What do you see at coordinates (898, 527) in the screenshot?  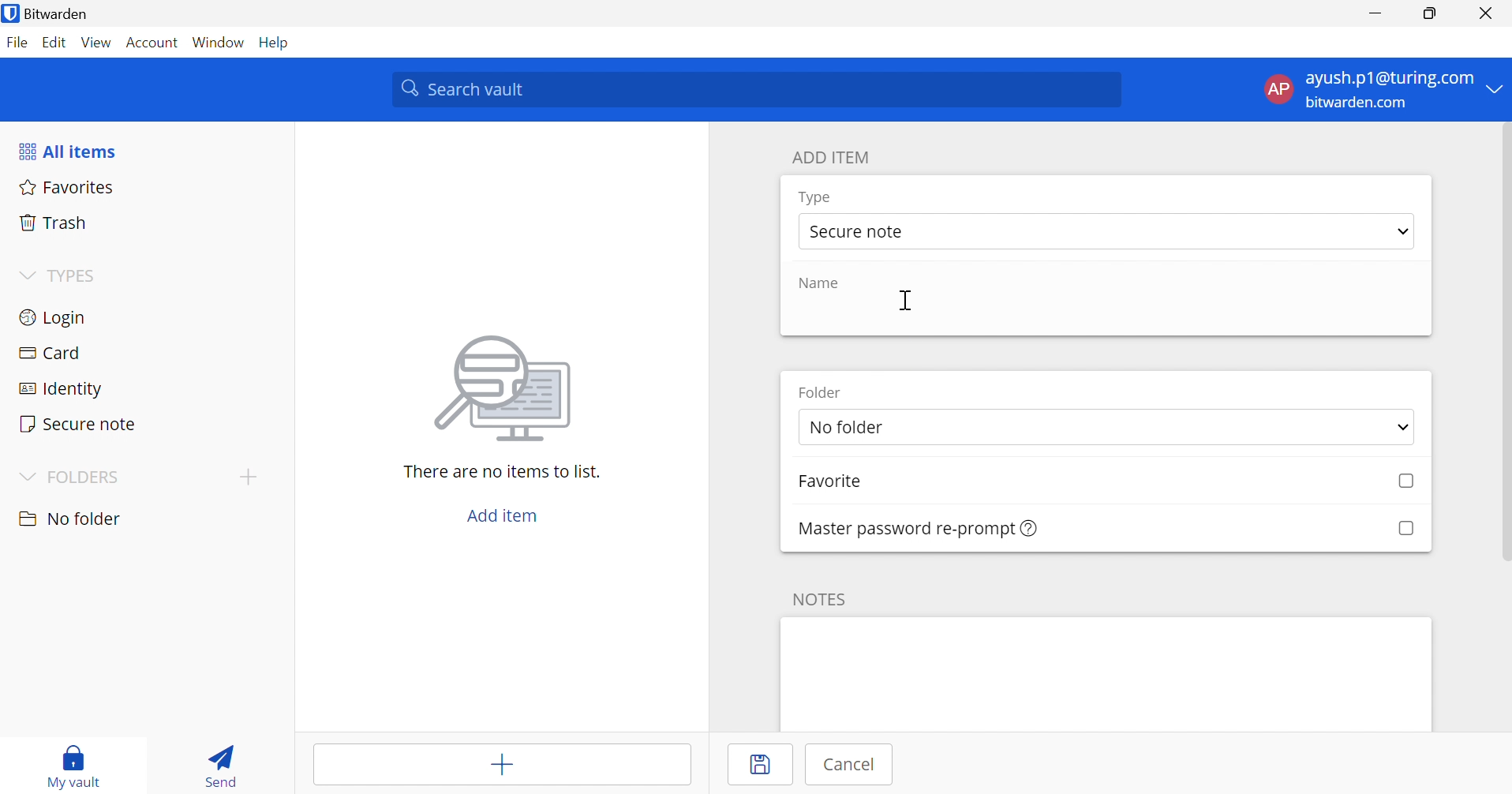 I see `Master password re-prompt @` at bounding box center [898, 527].